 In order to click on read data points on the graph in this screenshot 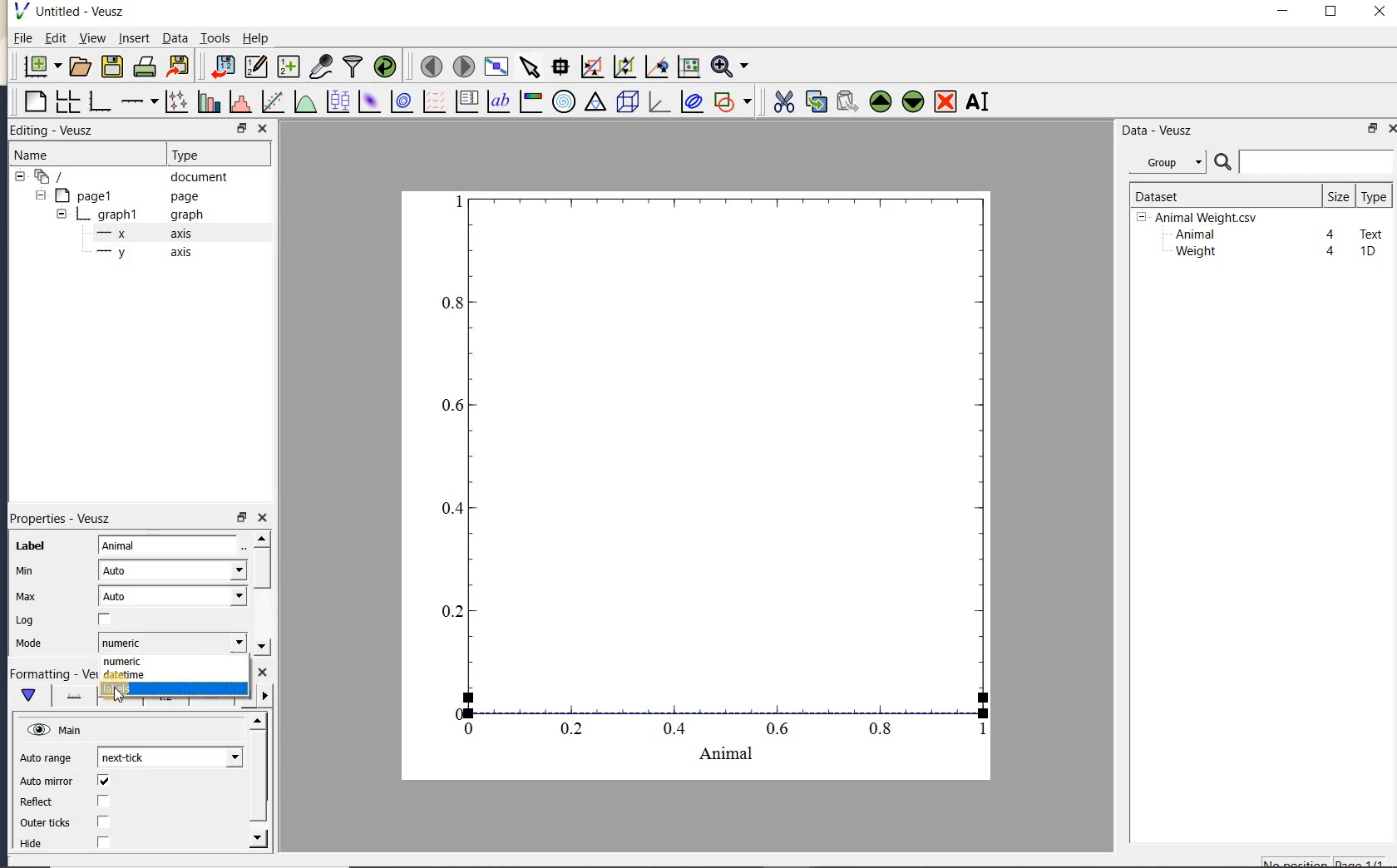, I will do `click(560, 67)`.